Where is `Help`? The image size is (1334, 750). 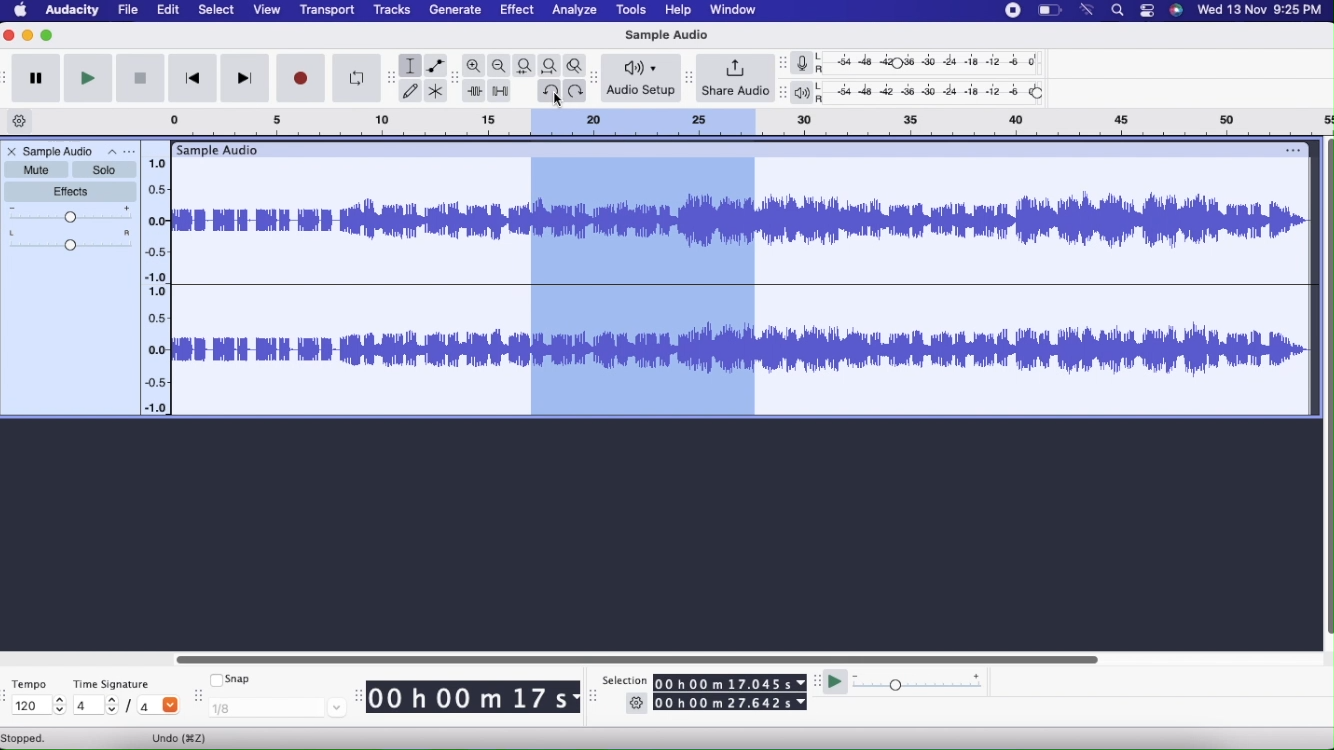
Help is located at coordinates (679, 12).